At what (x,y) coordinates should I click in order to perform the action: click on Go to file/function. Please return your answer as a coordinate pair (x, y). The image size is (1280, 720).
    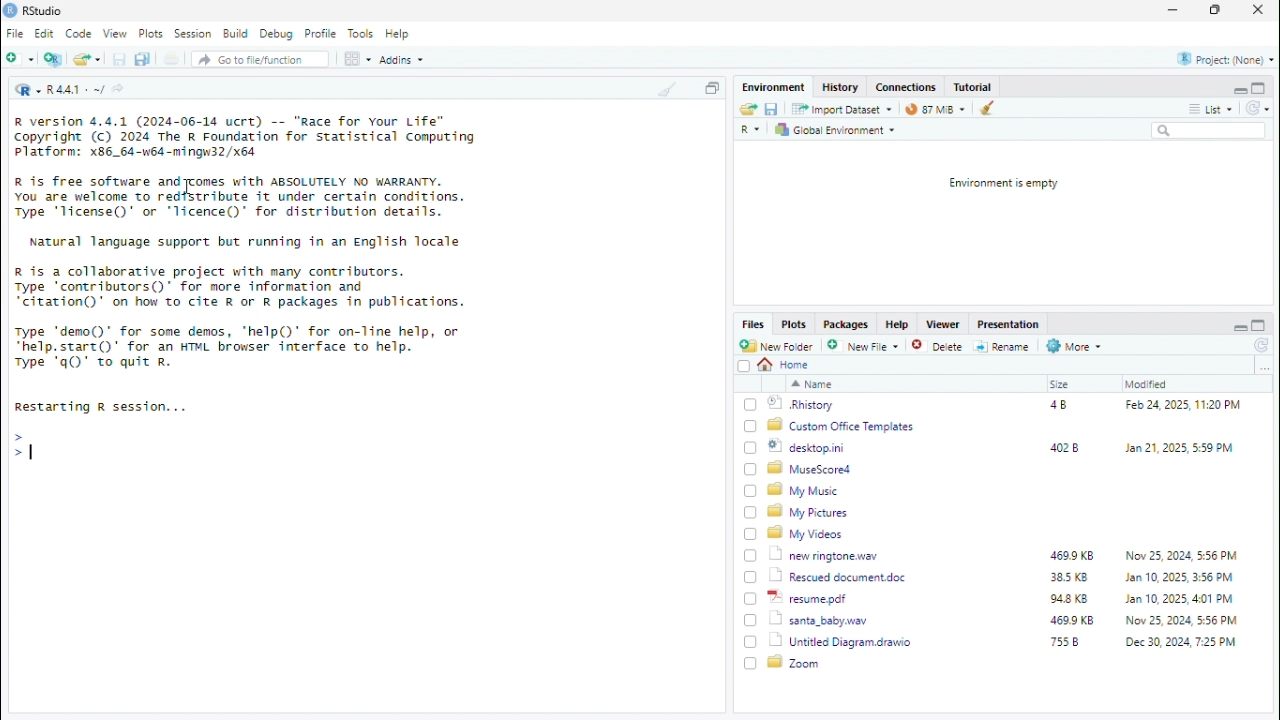
    Looking at the image, I should click on (261, 59).